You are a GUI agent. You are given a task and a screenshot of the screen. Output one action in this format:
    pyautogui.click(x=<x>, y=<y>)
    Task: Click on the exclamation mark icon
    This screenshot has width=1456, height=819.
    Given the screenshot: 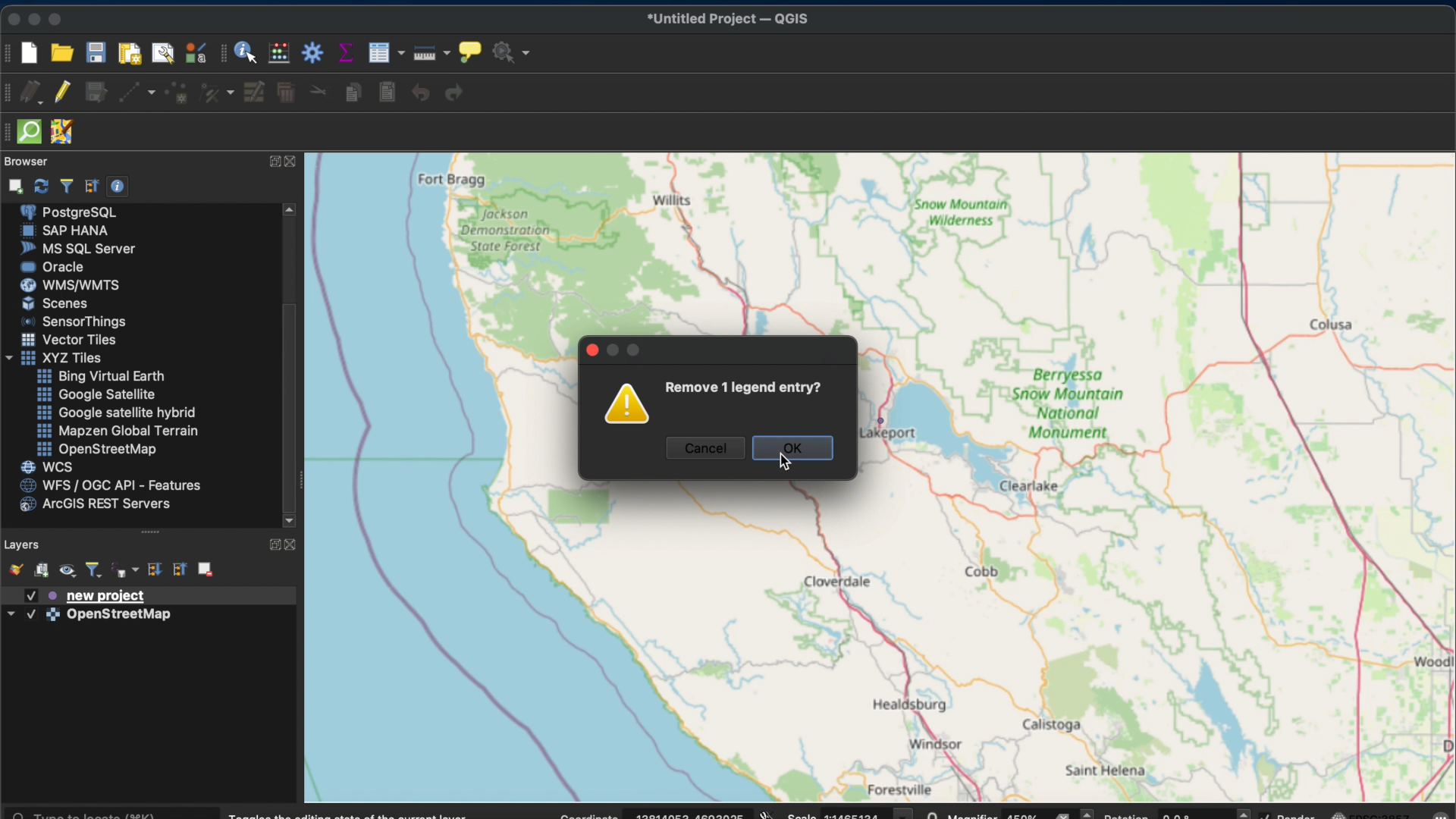 What is the action you would take?
    pyautogui.click(x=629, y=406)
    